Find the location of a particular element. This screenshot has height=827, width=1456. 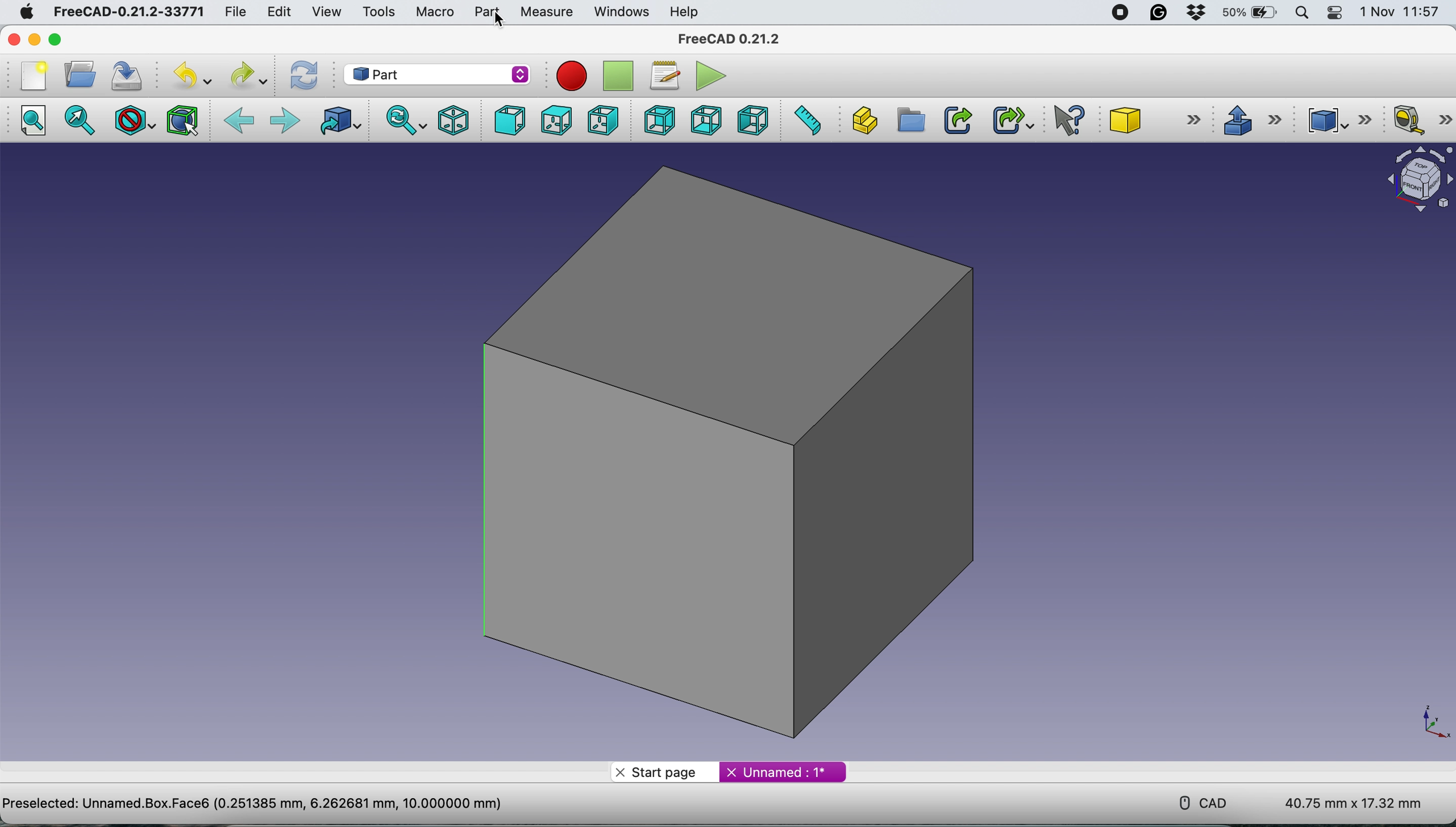

xy coordinate is located at coordinates (1421, 721).